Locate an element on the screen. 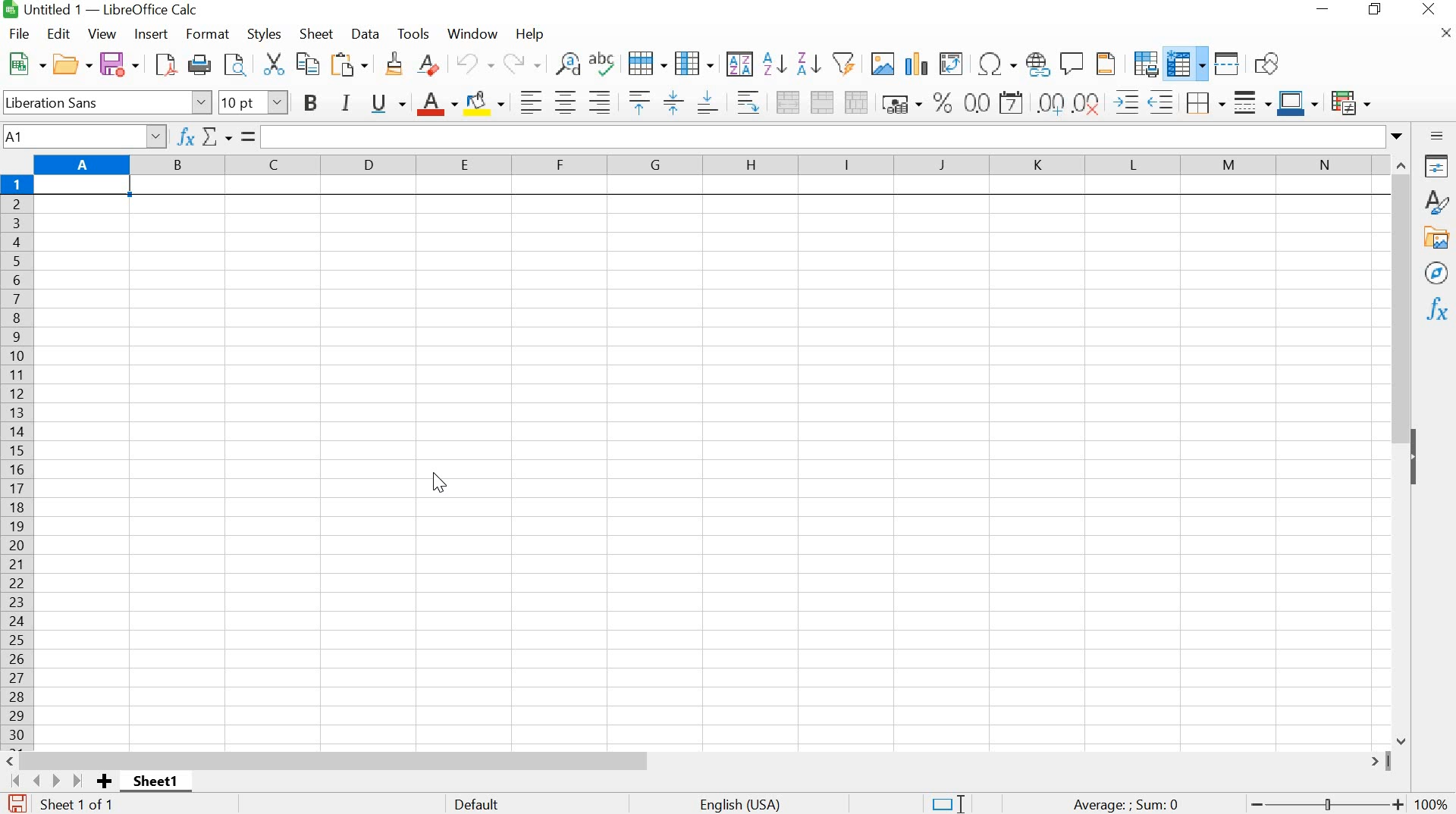 The width and height of the screenshot is (1456, 814). COLUMN is located at coordinates (695, 62).